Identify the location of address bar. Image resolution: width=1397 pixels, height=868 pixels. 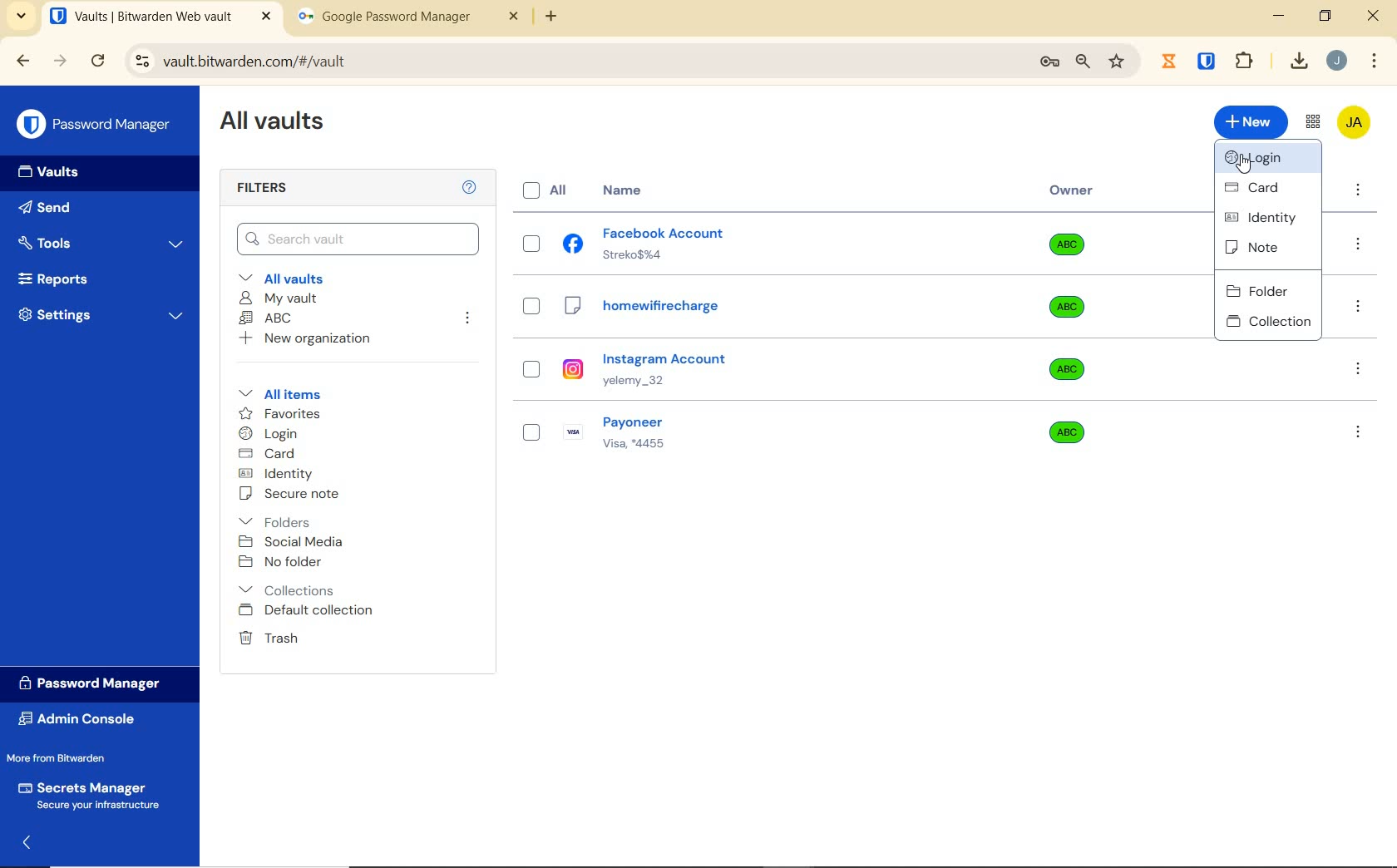
(573, 62).